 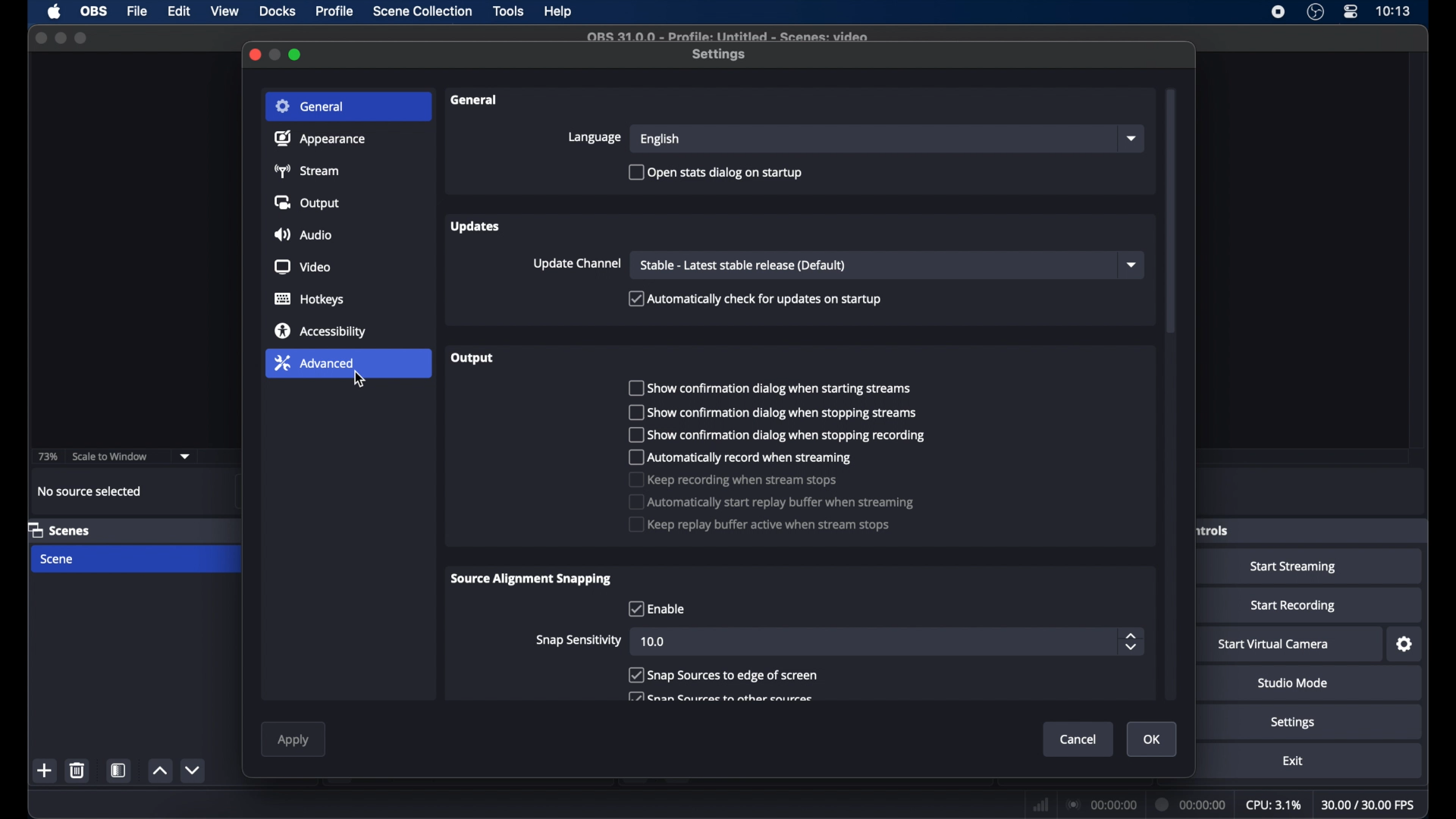 I want to click on video, so click(x=303, y=268).